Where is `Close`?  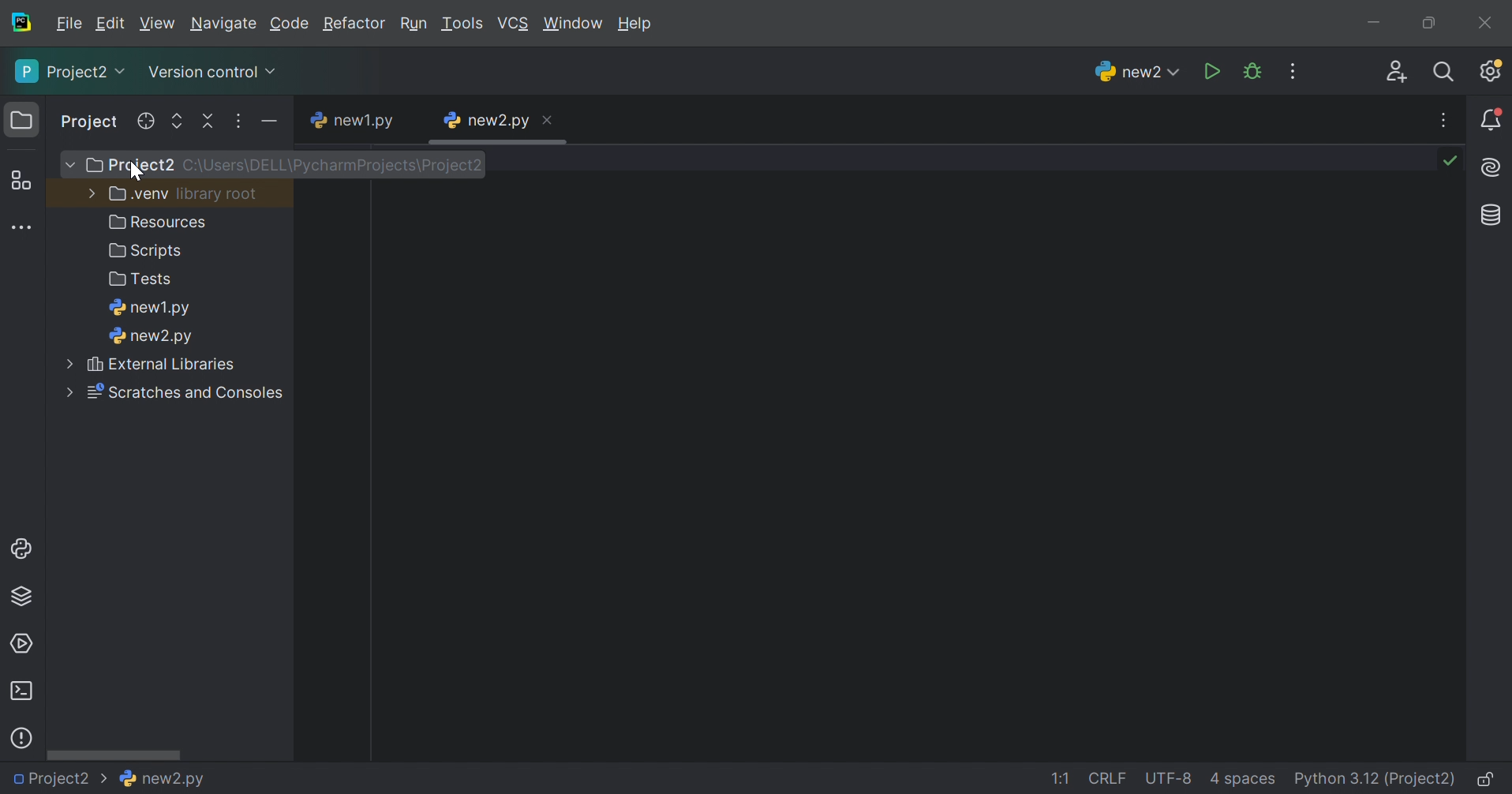
Close is located at coordinates (1488, 22).